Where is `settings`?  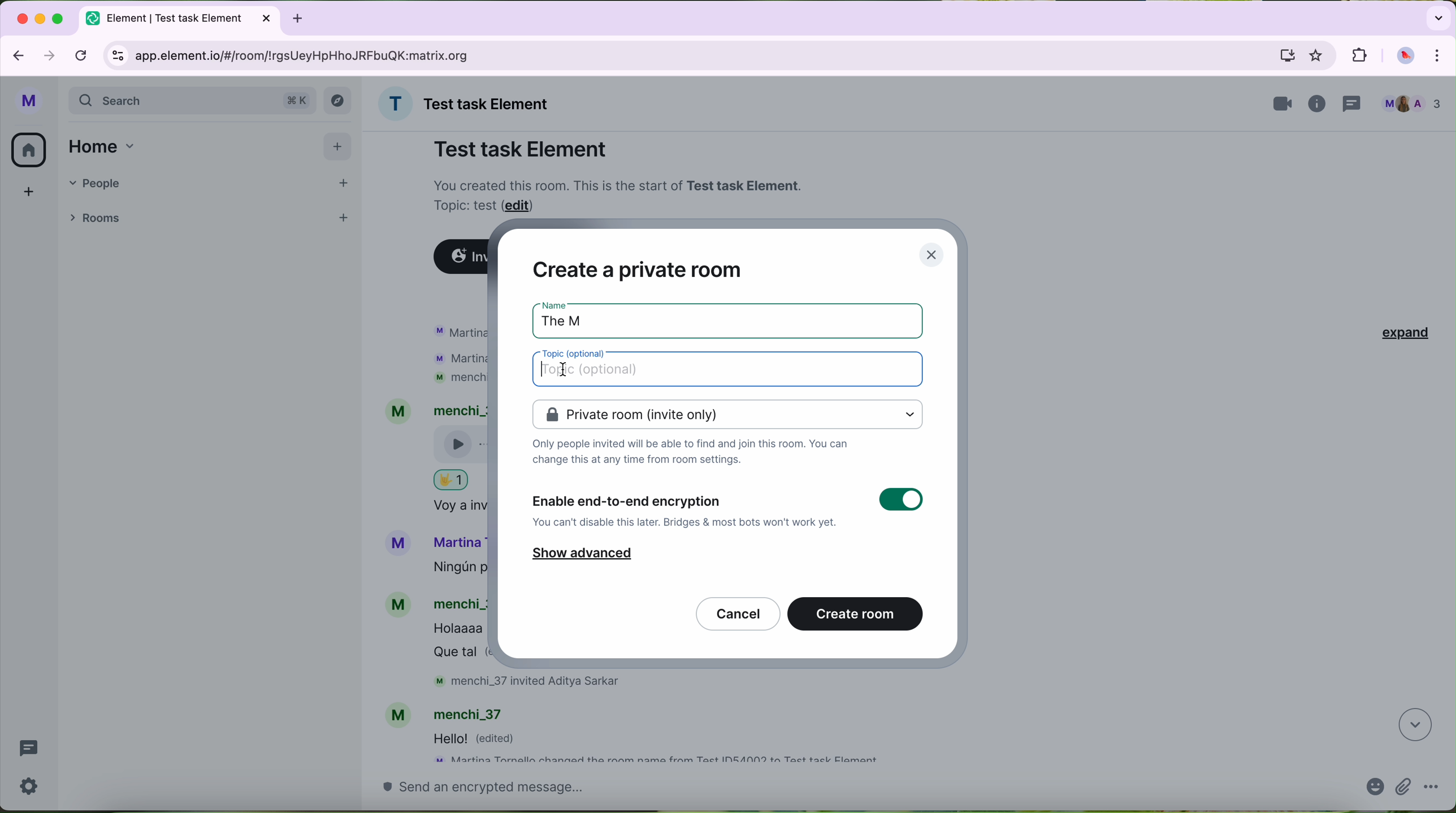 settings is located at coordinates (33, 786).